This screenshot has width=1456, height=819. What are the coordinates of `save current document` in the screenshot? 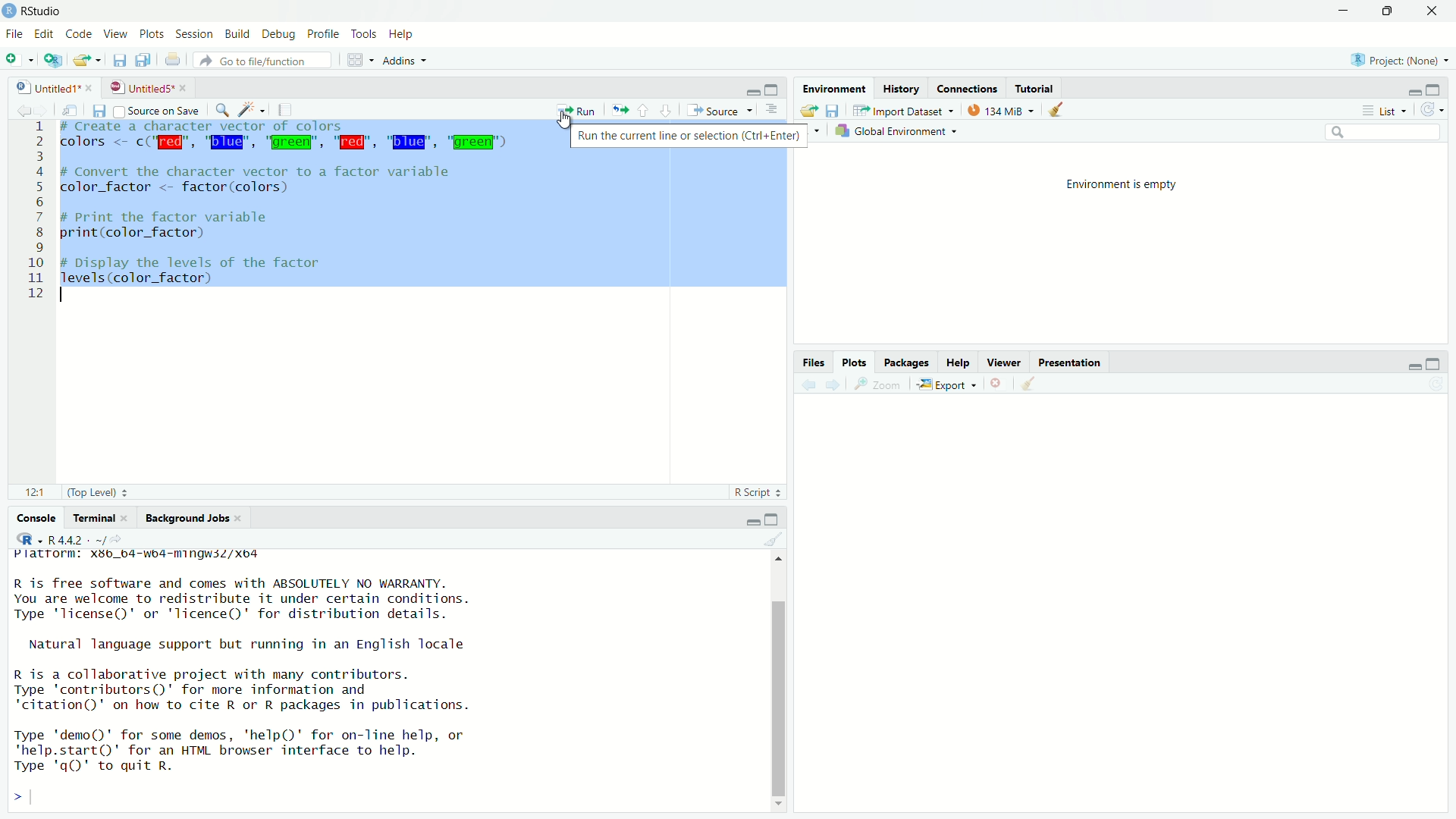 It's located at (117, 59).